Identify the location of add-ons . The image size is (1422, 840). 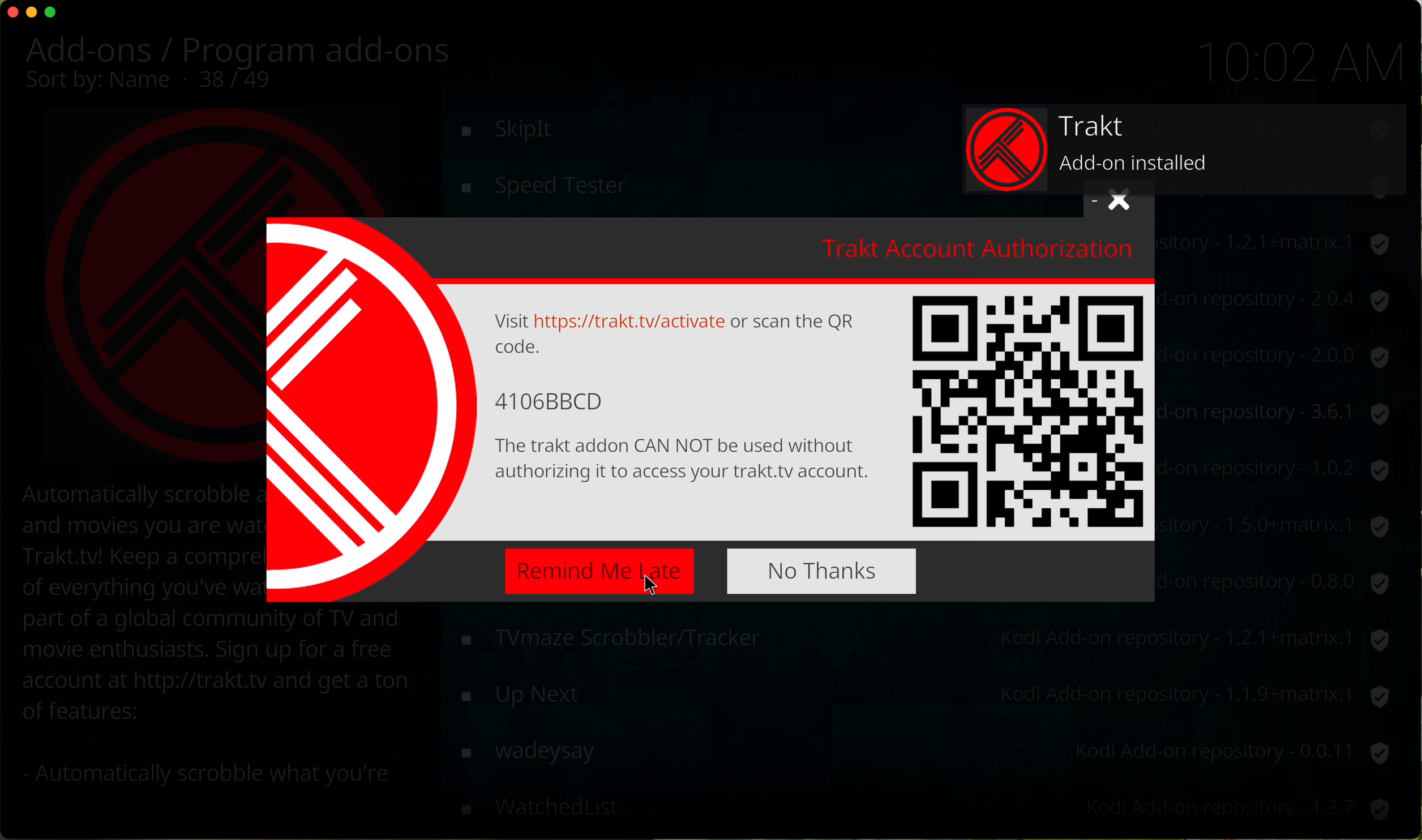
(102, 50).